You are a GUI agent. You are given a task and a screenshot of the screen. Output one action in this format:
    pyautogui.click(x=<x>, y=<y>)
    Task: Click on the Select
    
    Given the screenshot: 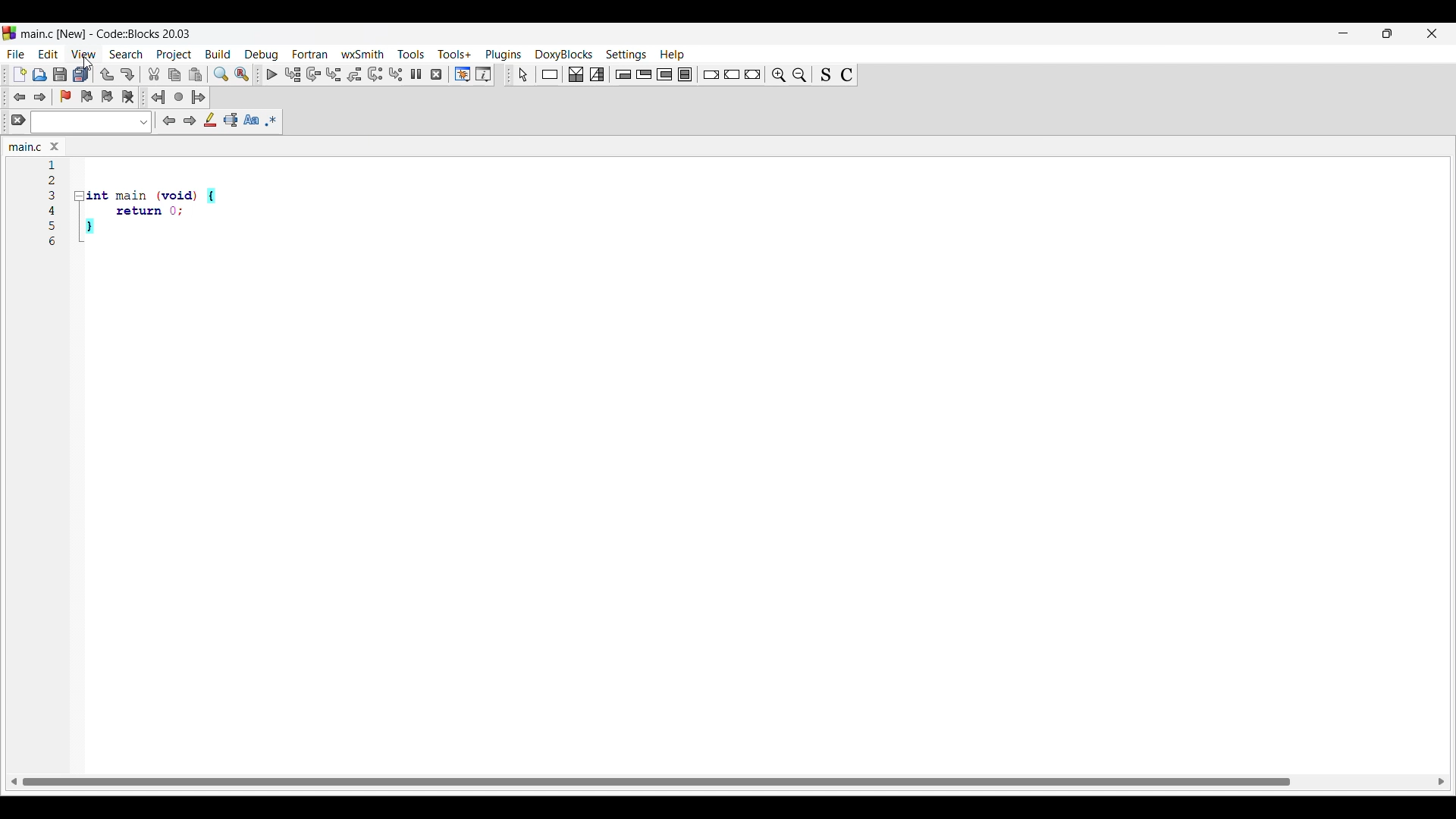 What is the action you would take?
    pyautogui.click(x=522, y=75)
    